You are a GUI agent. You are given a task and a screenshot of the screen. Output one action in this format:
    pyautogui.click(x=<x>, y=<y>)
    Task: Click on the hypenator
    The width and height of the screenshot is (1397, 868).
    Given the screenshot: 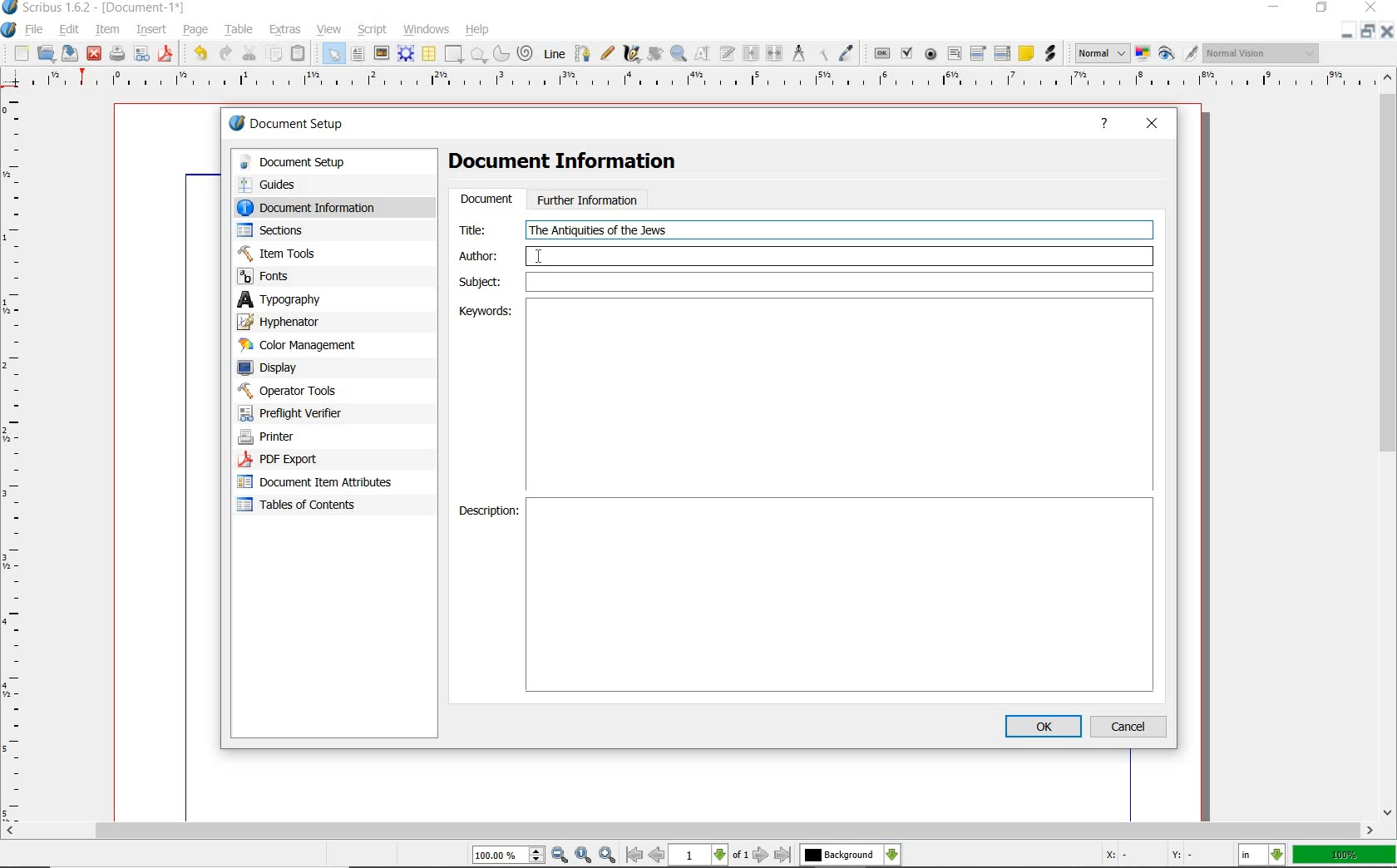 What is the action you would take?
    pyautogui.click(x=291, y=322)
    